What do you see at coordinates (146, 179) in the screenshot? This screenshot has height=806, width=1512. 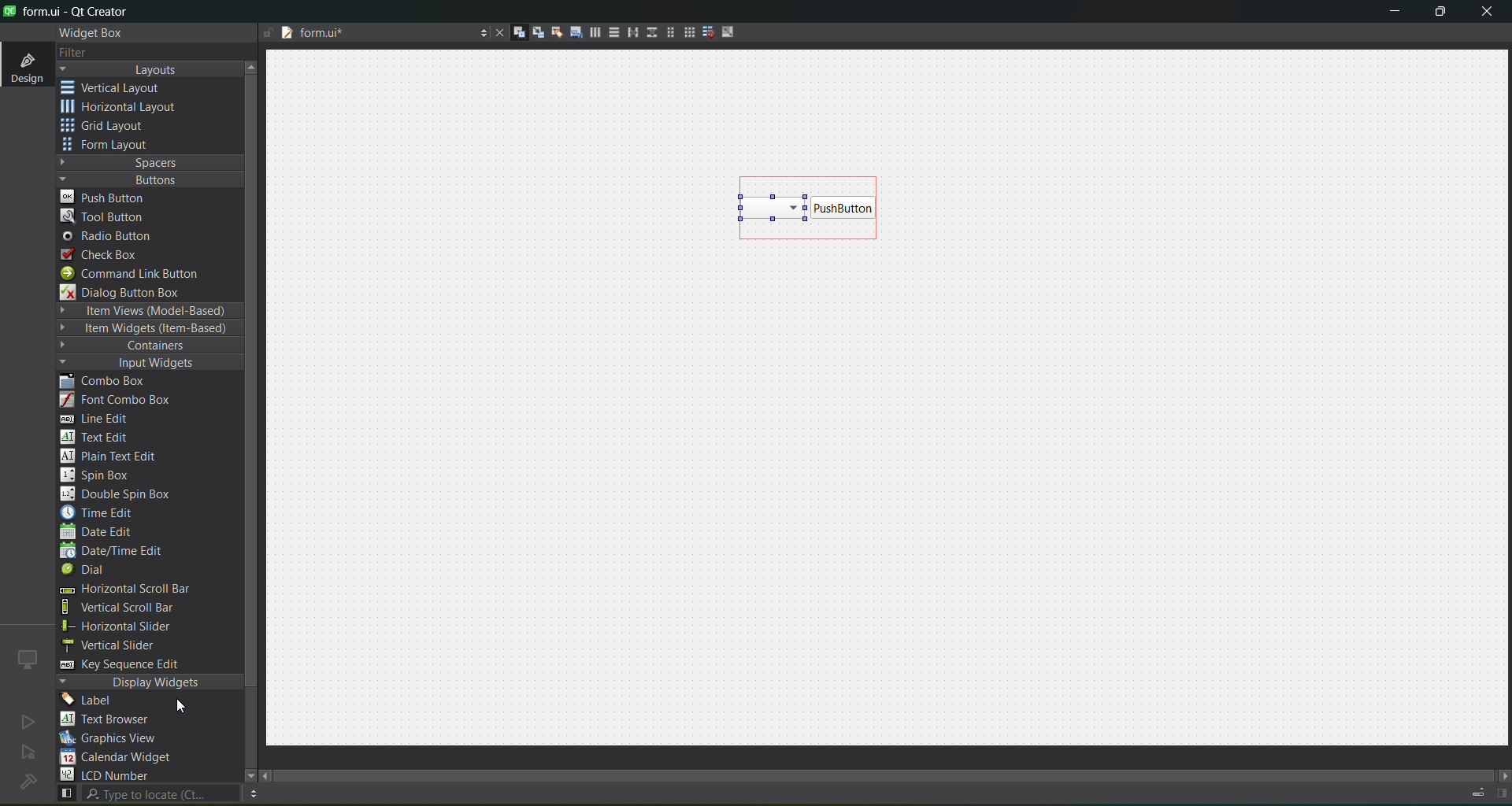 I see `buttons` at bounding box center [146, 179].